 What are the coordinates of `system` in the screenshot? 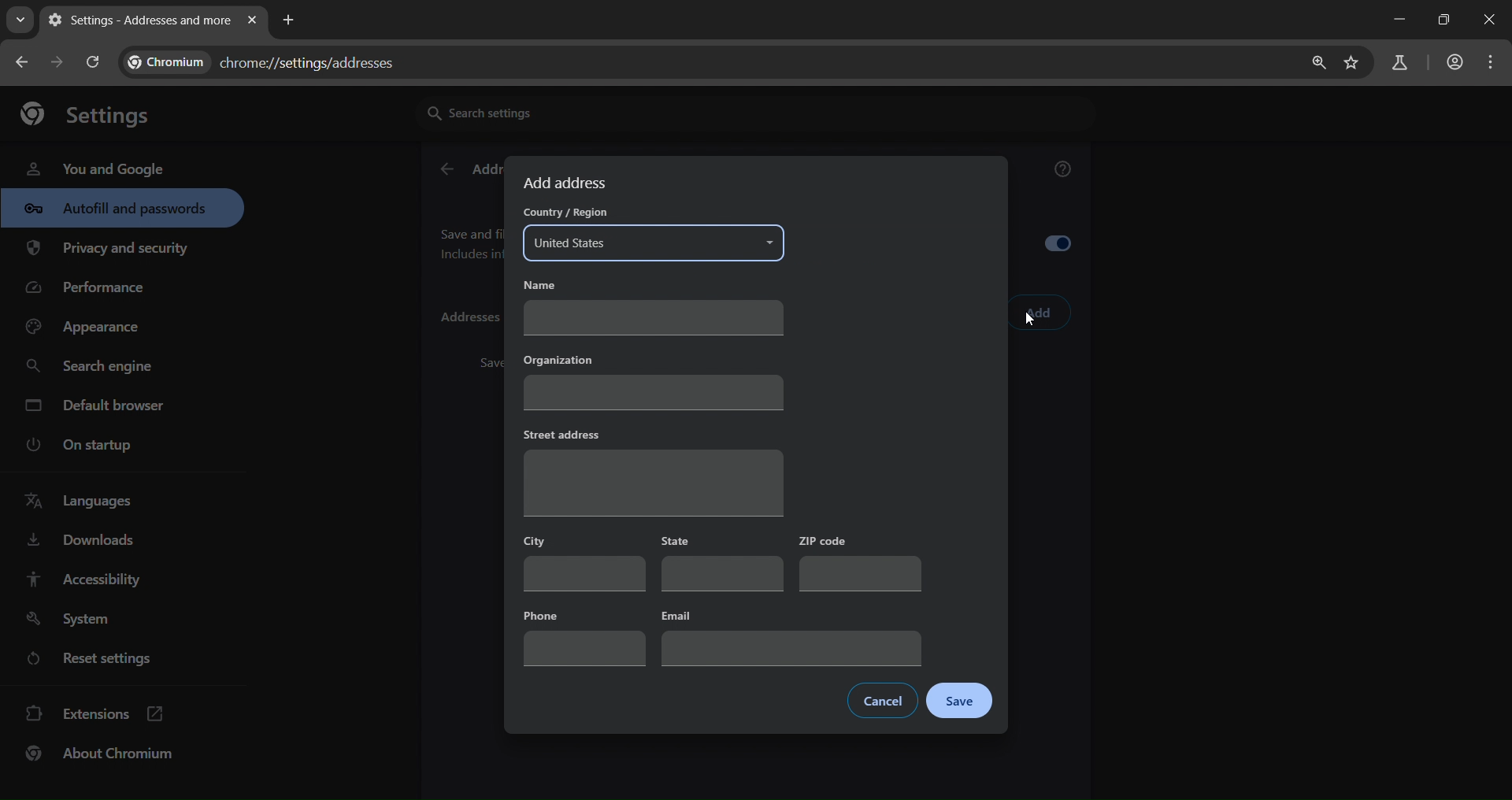 It's located at (72, 620).